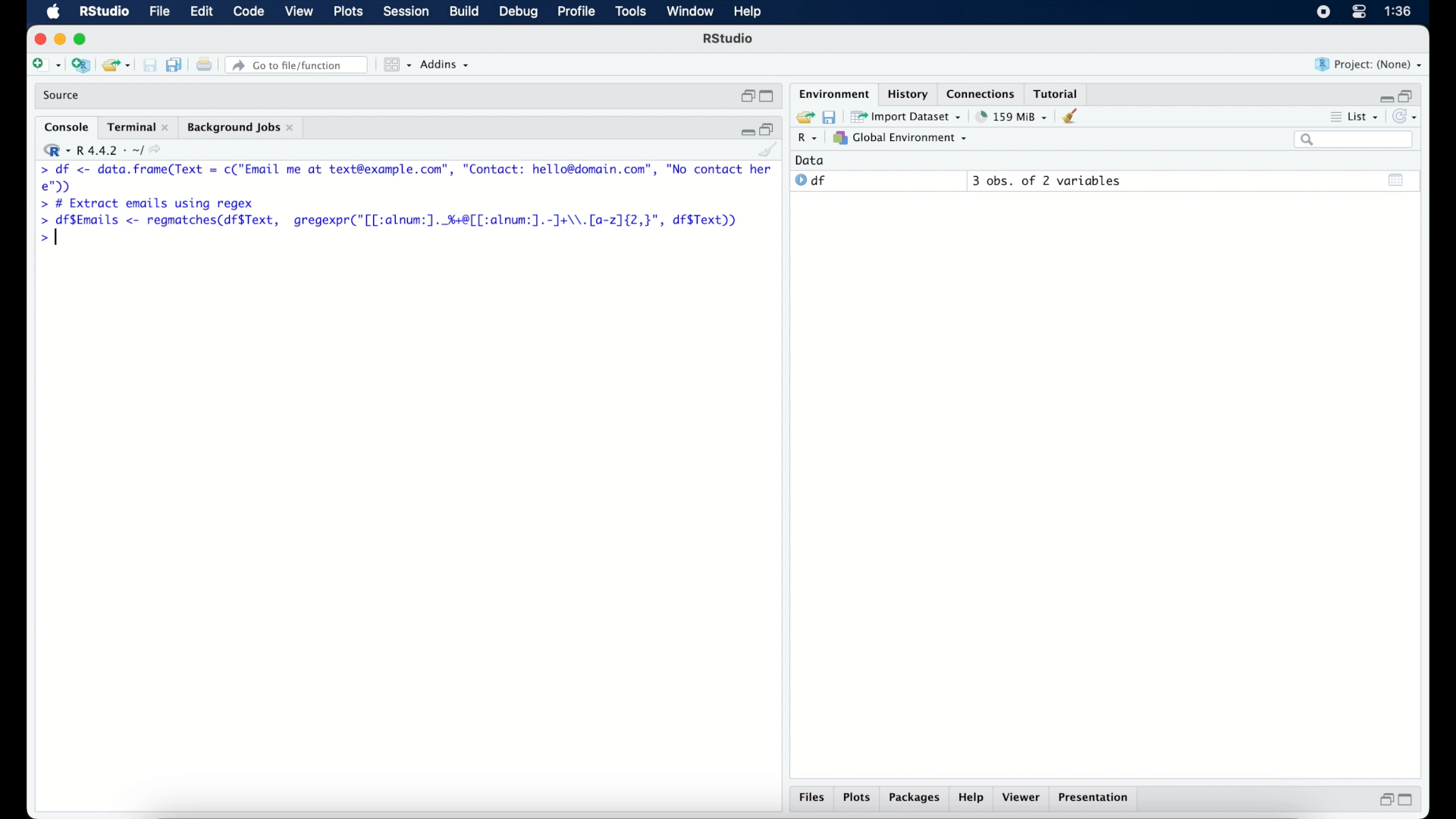 The height and width of the screenshot is (819, 1456). I want to click on debug, so click(519, 13).